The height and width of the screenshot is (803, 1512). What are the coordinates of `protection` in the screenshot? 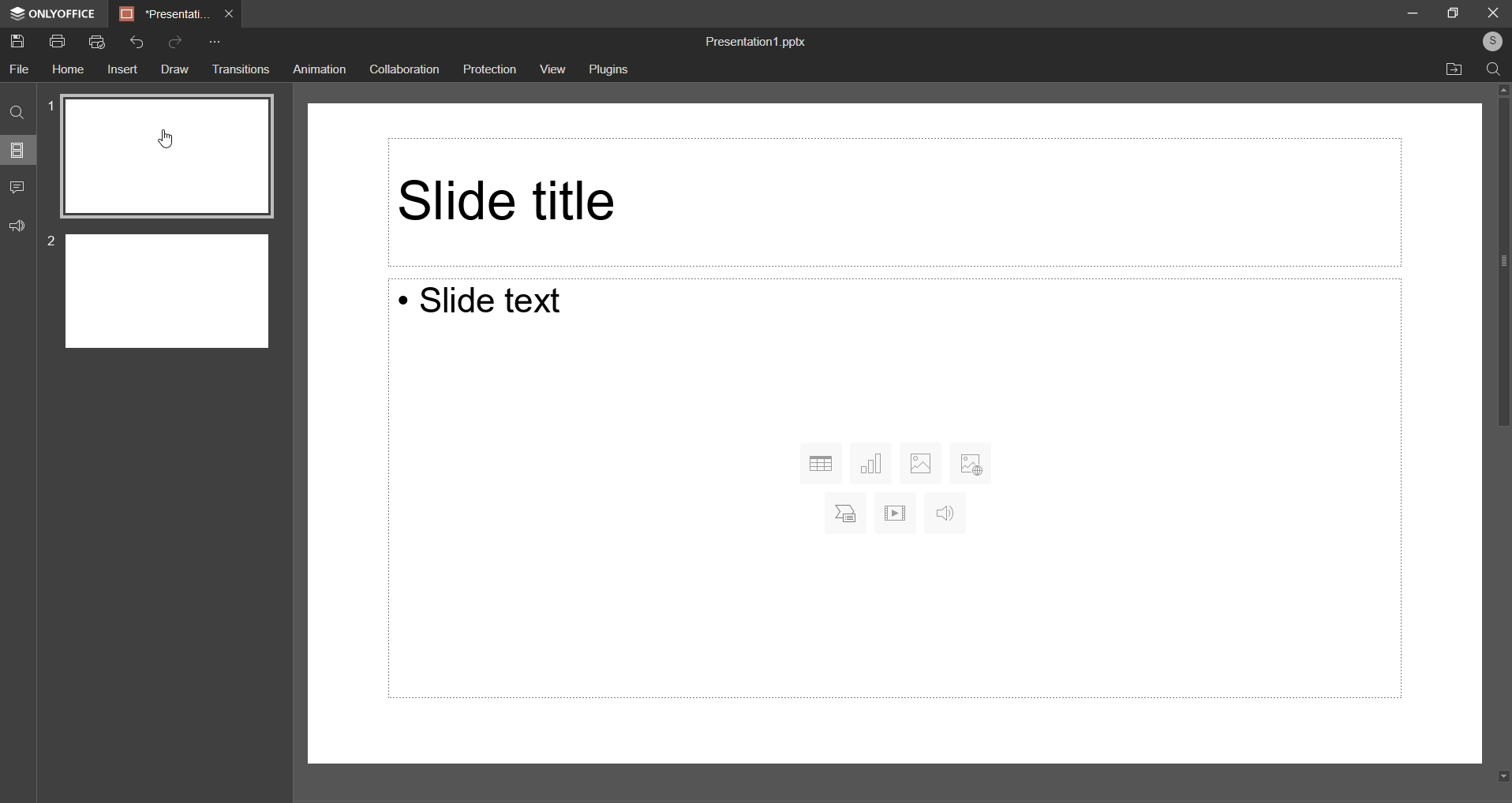 It's located at (491, 69).